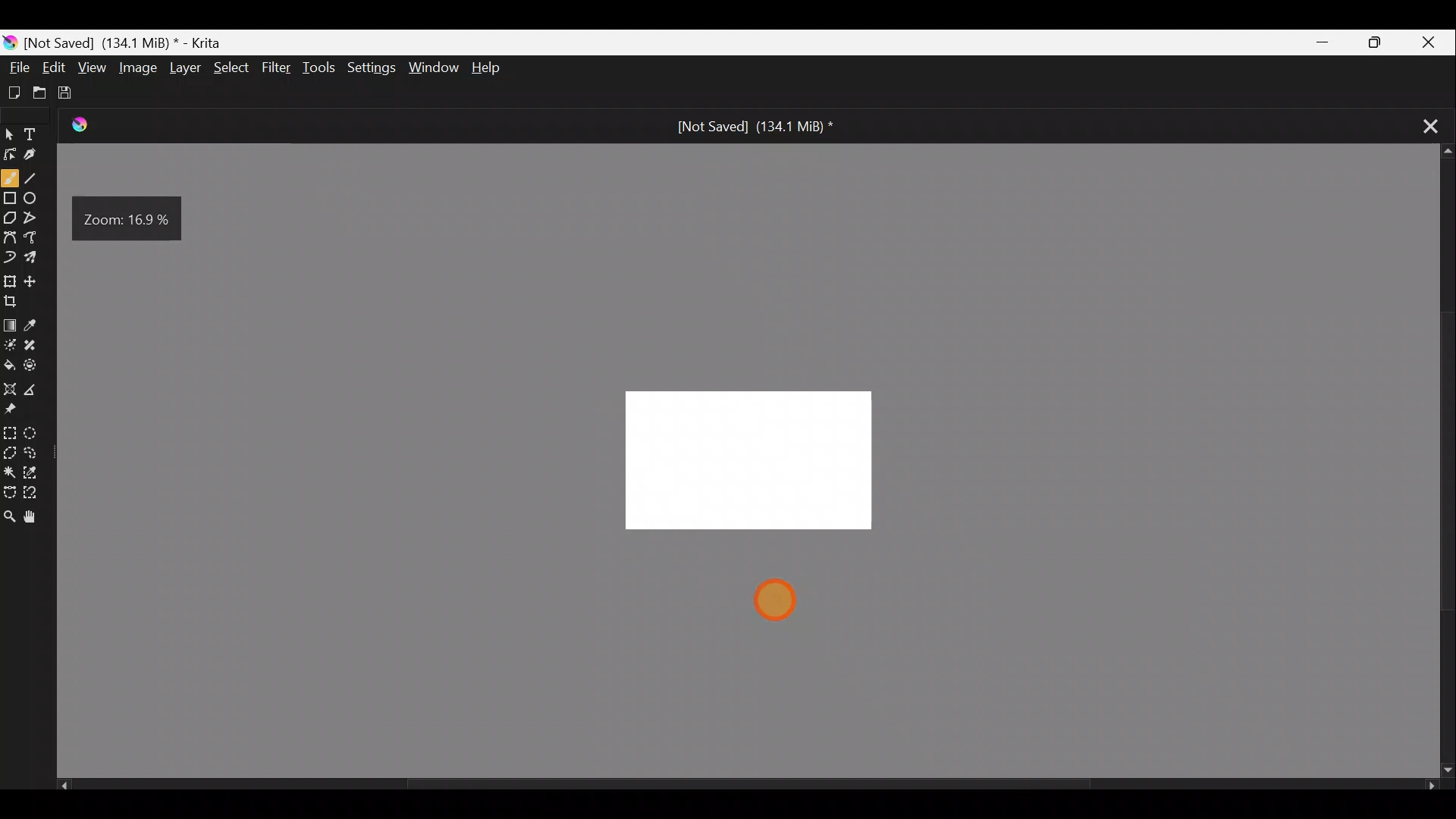 This screenshot has width=1456, height=819. Describe the element at coordinates (37, 494) in the screenshot. I see `Magnetic curve selection tool` at that location.